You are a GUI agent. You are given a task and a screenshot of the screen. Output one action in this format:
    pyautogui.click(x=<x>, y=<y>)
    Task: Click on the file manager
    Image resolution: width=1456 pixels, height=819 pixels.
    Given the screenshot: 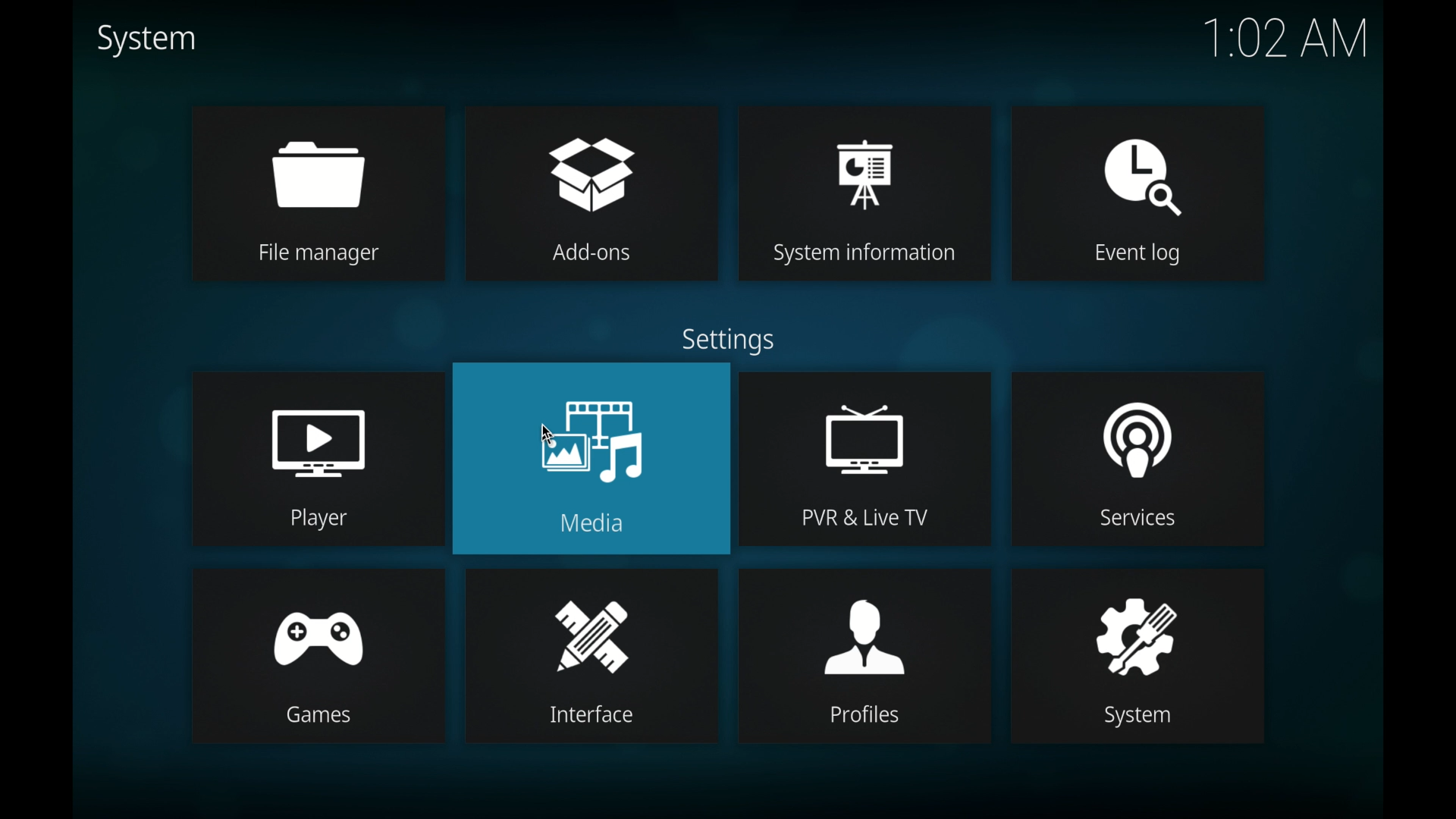 What is the action you would take?
    pyautogui.click(x=313, y=166)
    